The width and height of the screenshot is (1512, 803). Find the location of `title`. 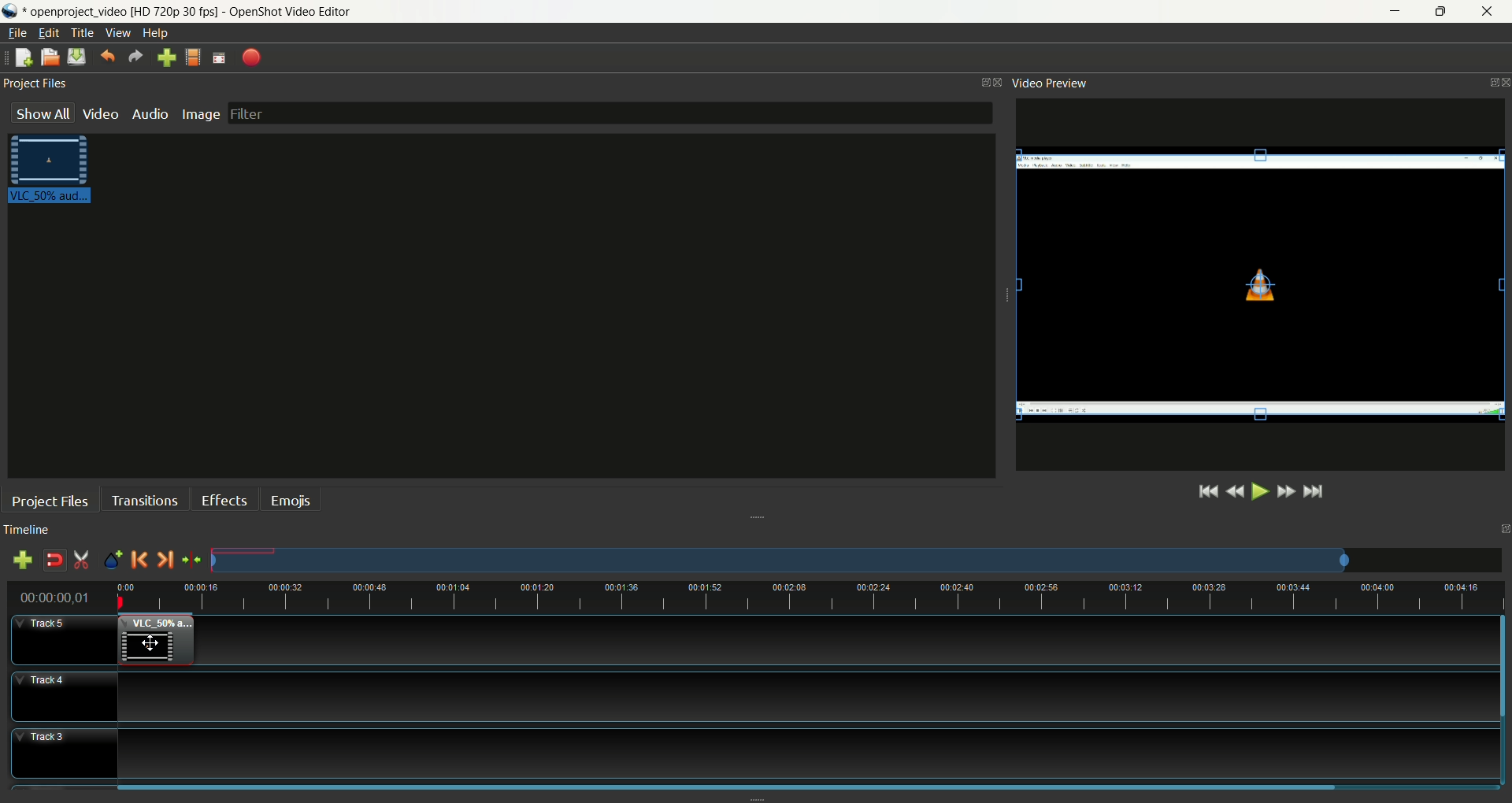

title is located at coordinates (82, 31).